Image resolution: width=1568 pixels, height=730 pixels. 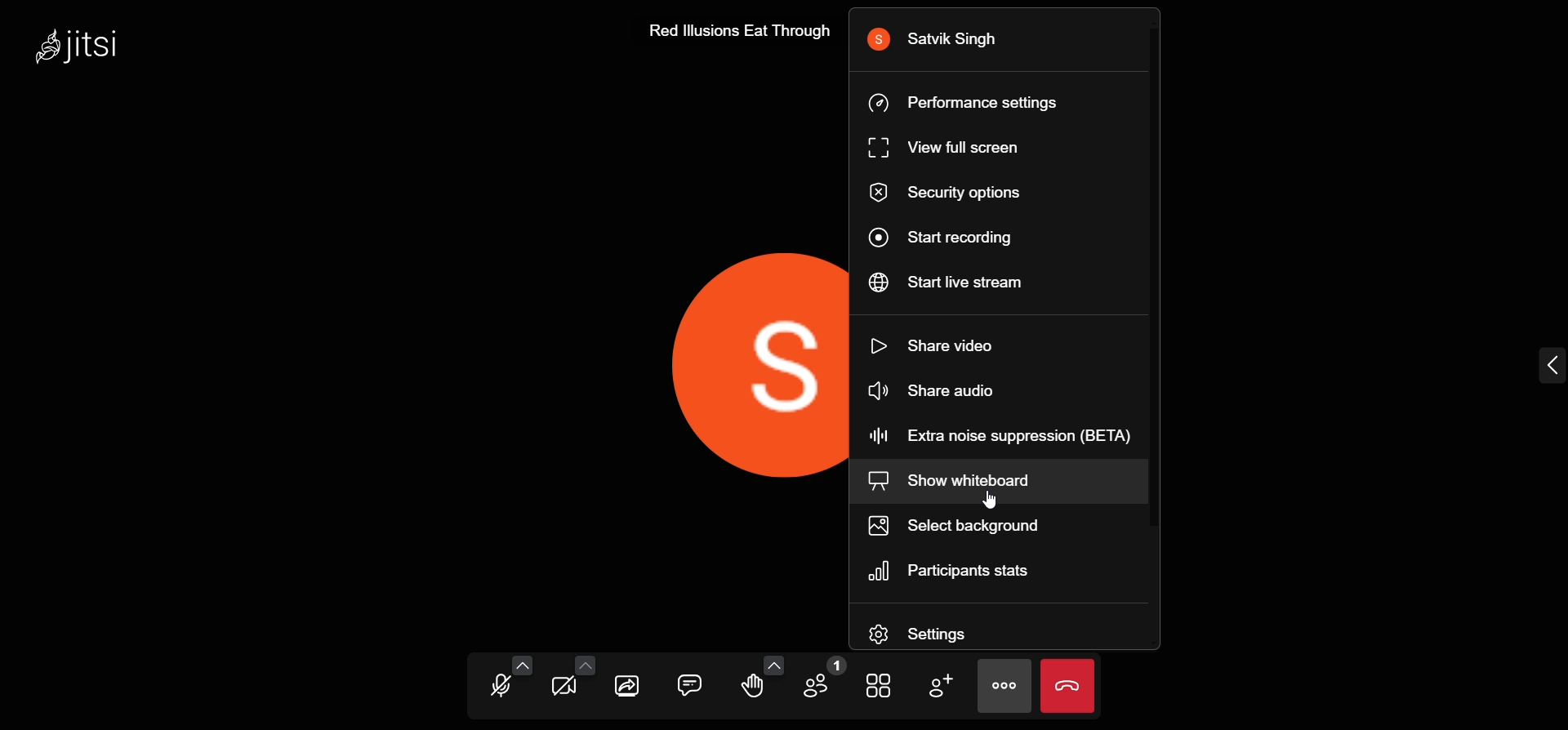 I want to click on chat, so click(x=690, y=683).